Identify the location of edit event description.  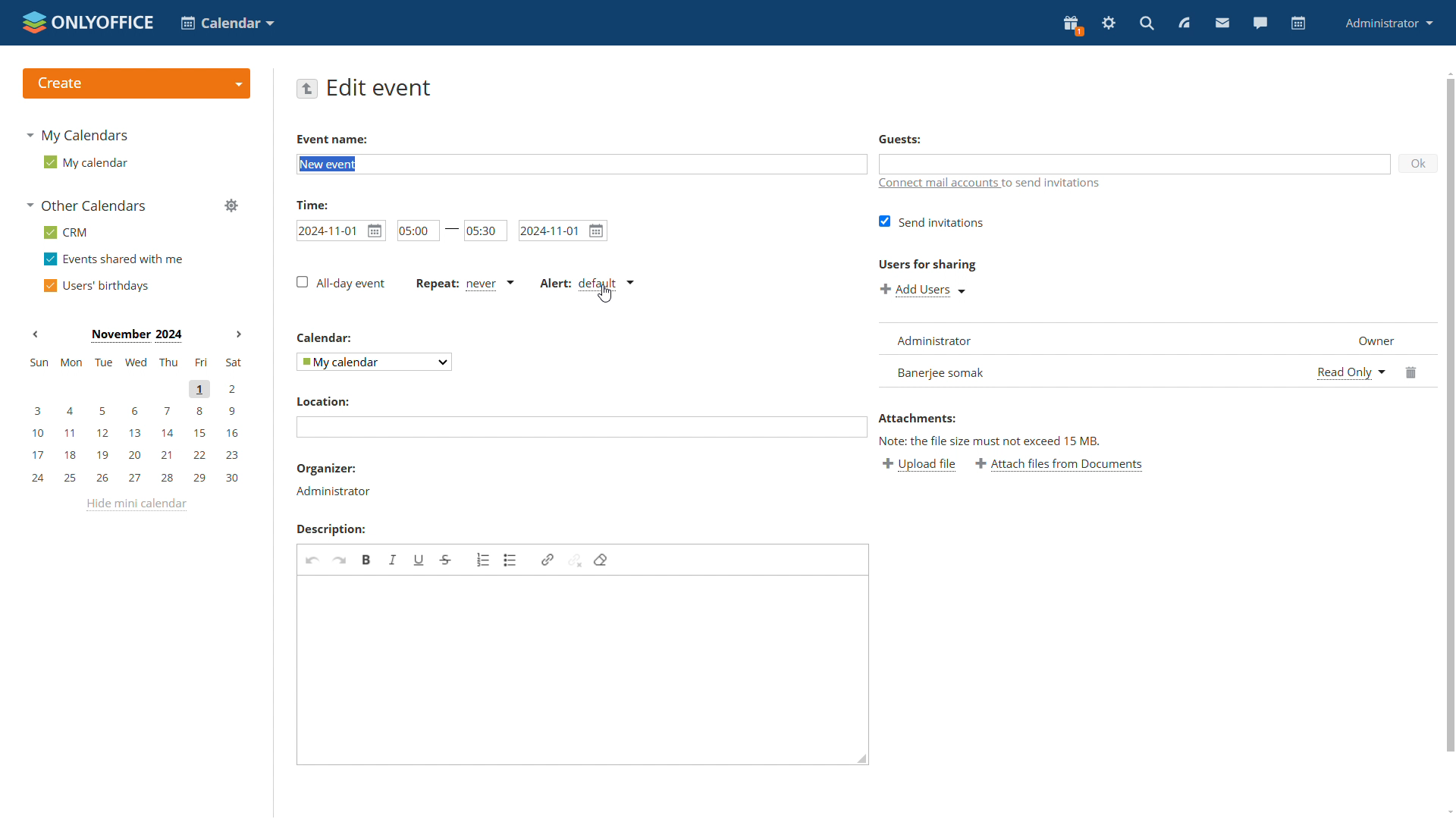
(585, 670).